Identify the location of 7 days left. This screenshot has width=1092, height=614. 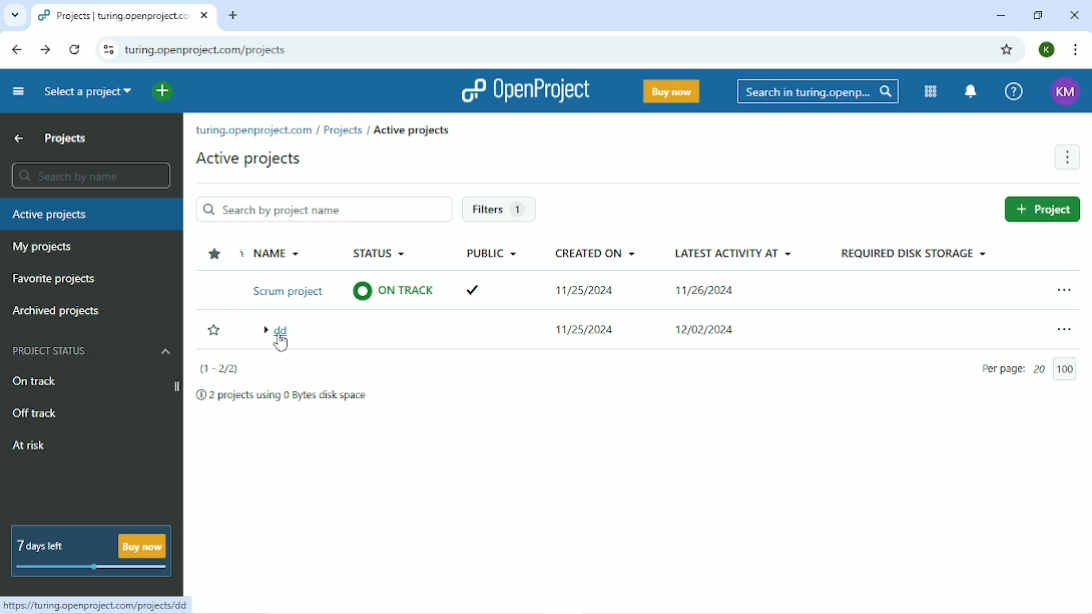
(90, 550).